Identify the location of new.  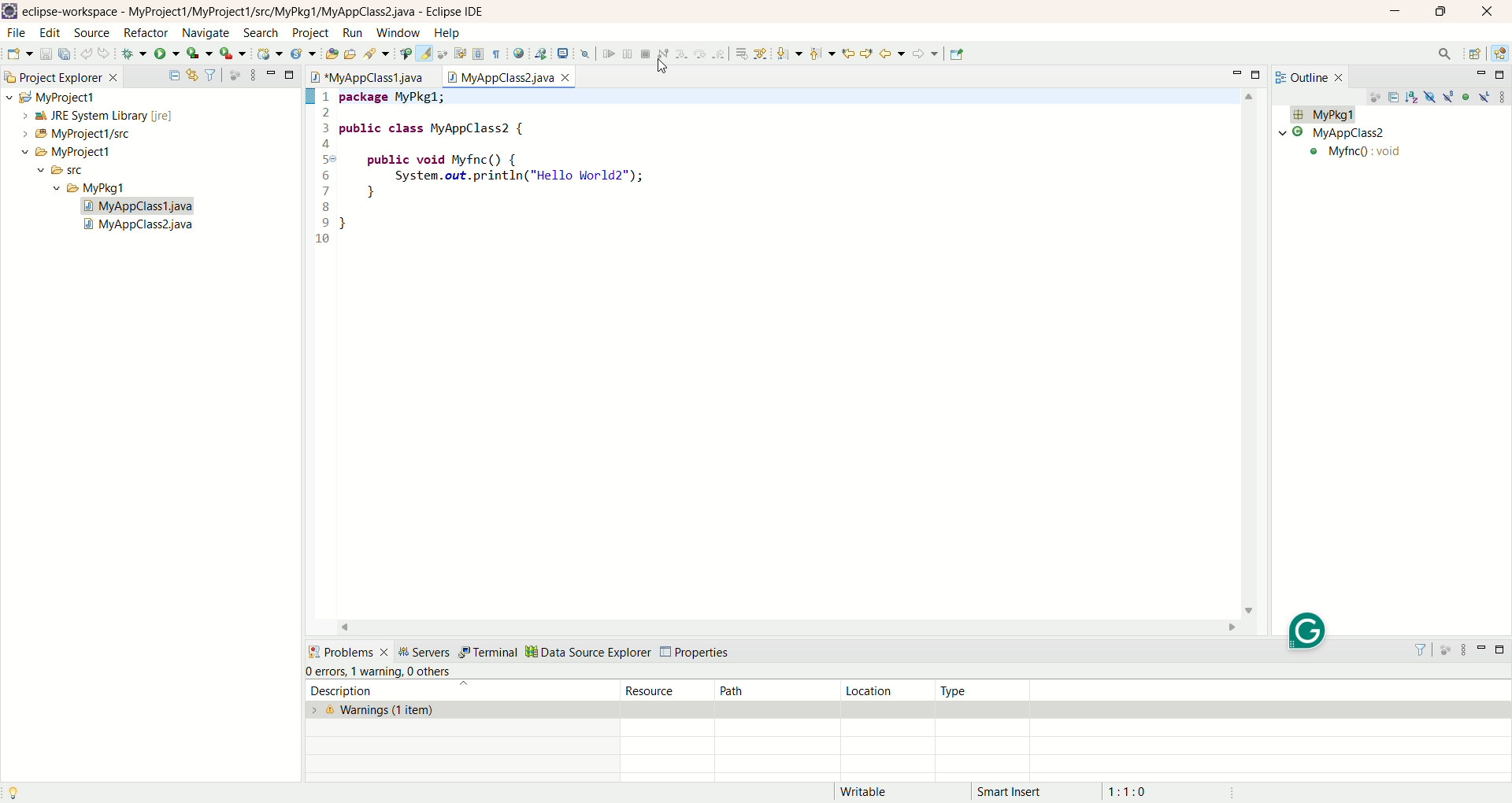
(19, 54).